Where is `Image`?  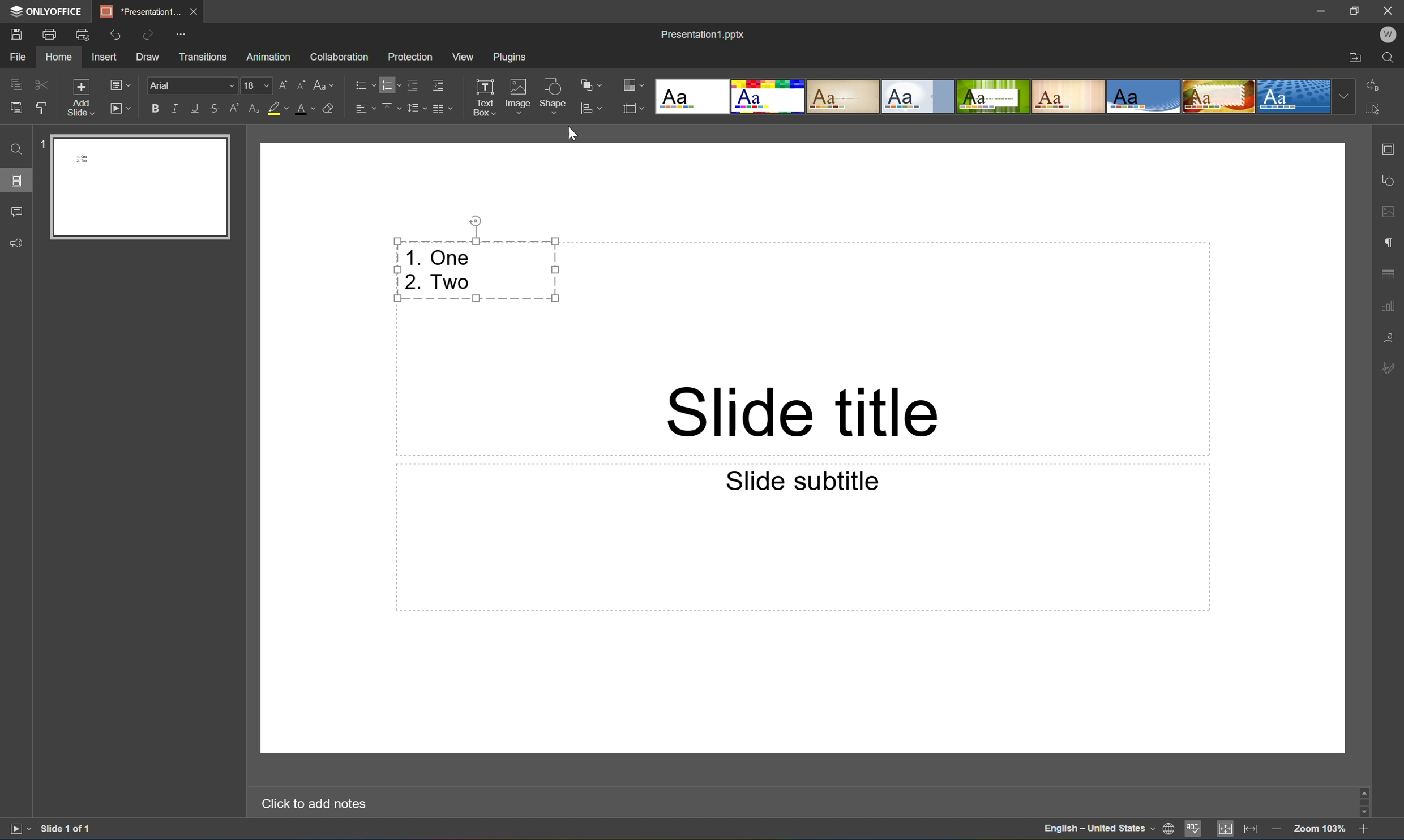
Image is located at coordinates (519, 95).